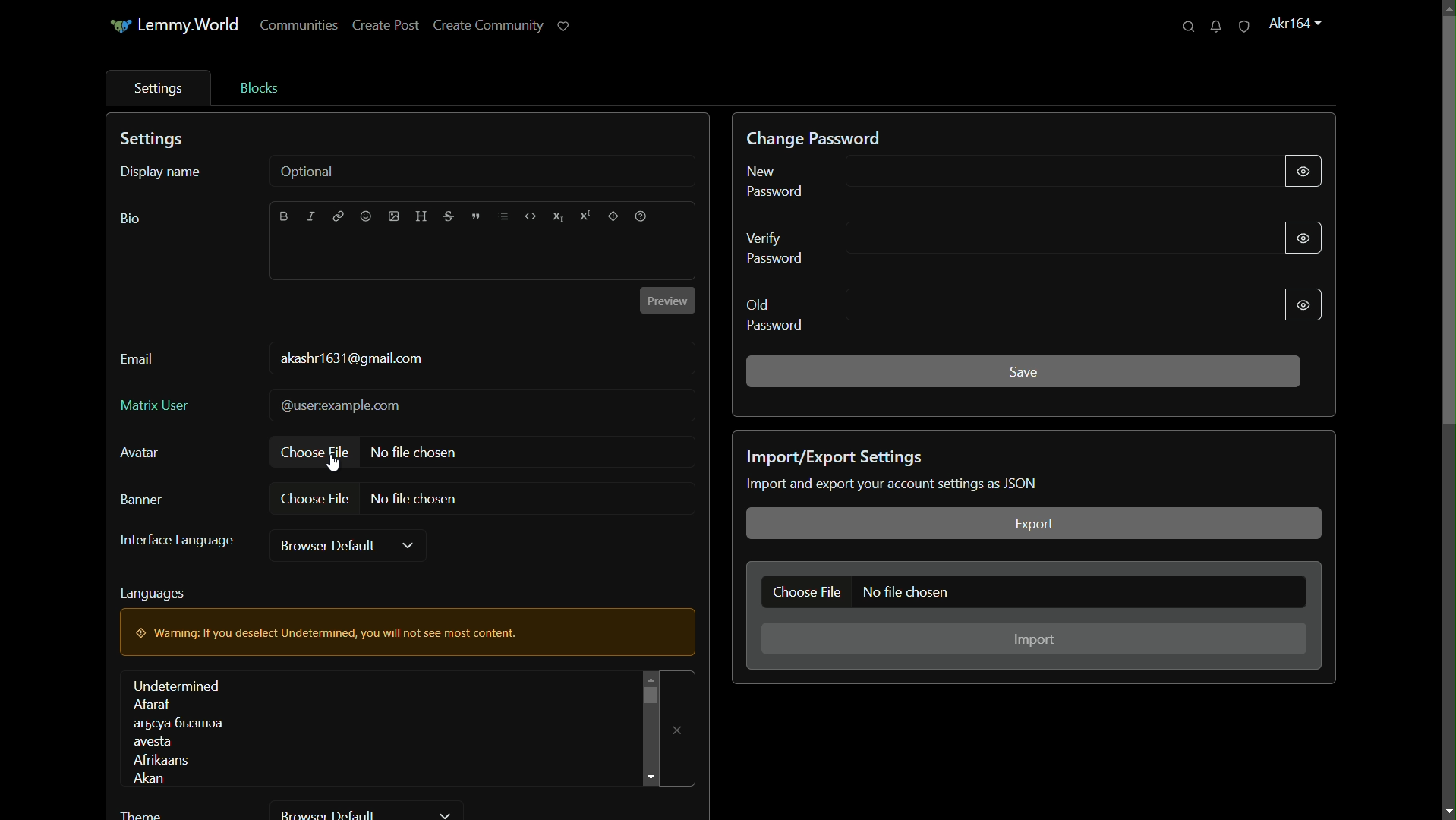 This screenshot has height=820, width=1456. What do you see at coordinates (503, 216) in the screenshot?
I see `list` at bounding box center [503, 216].